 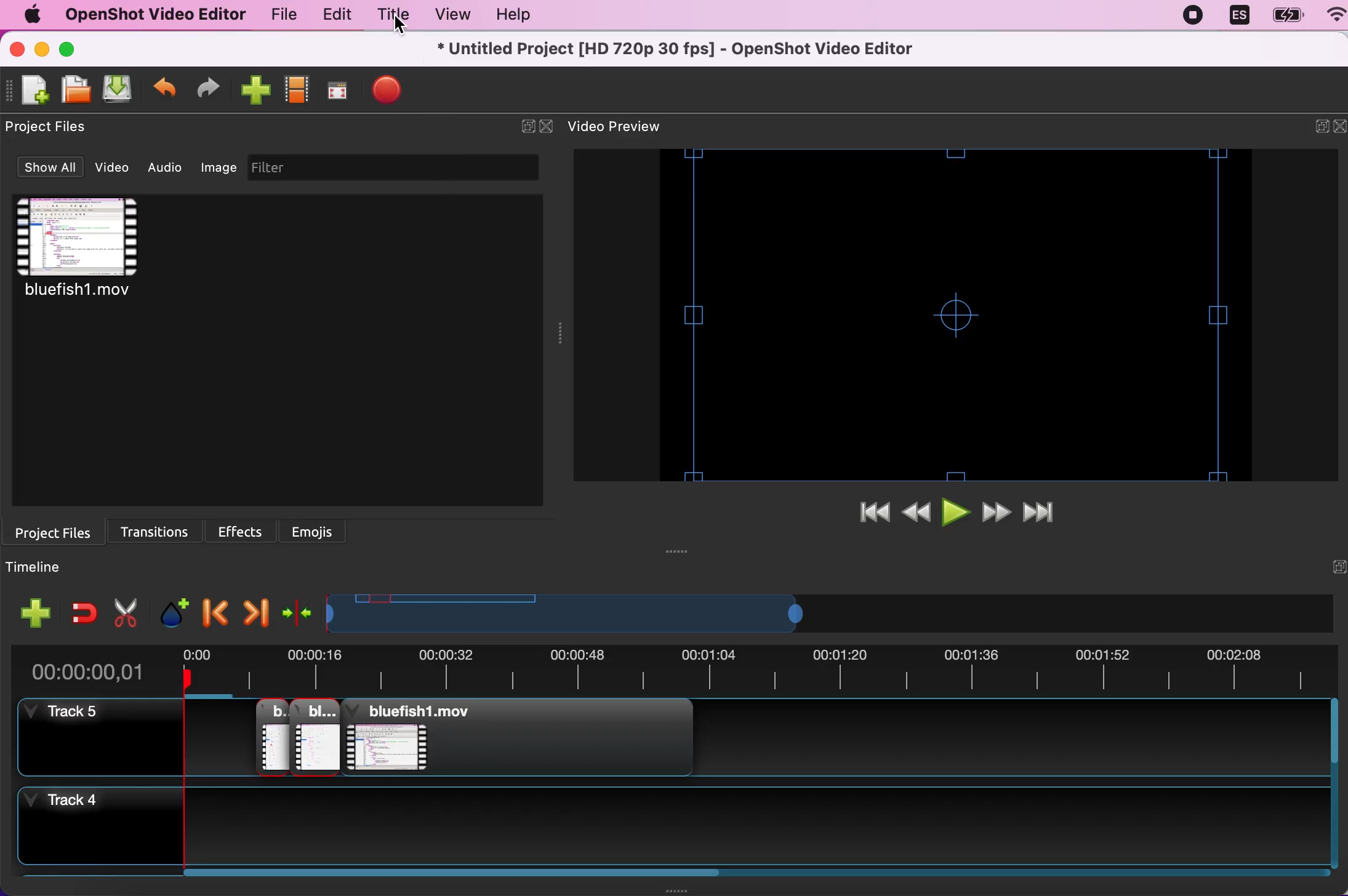 What do you see at coordinates (245, 529) in the screenshot?
I see `effects` at bounding box center [245, 529].